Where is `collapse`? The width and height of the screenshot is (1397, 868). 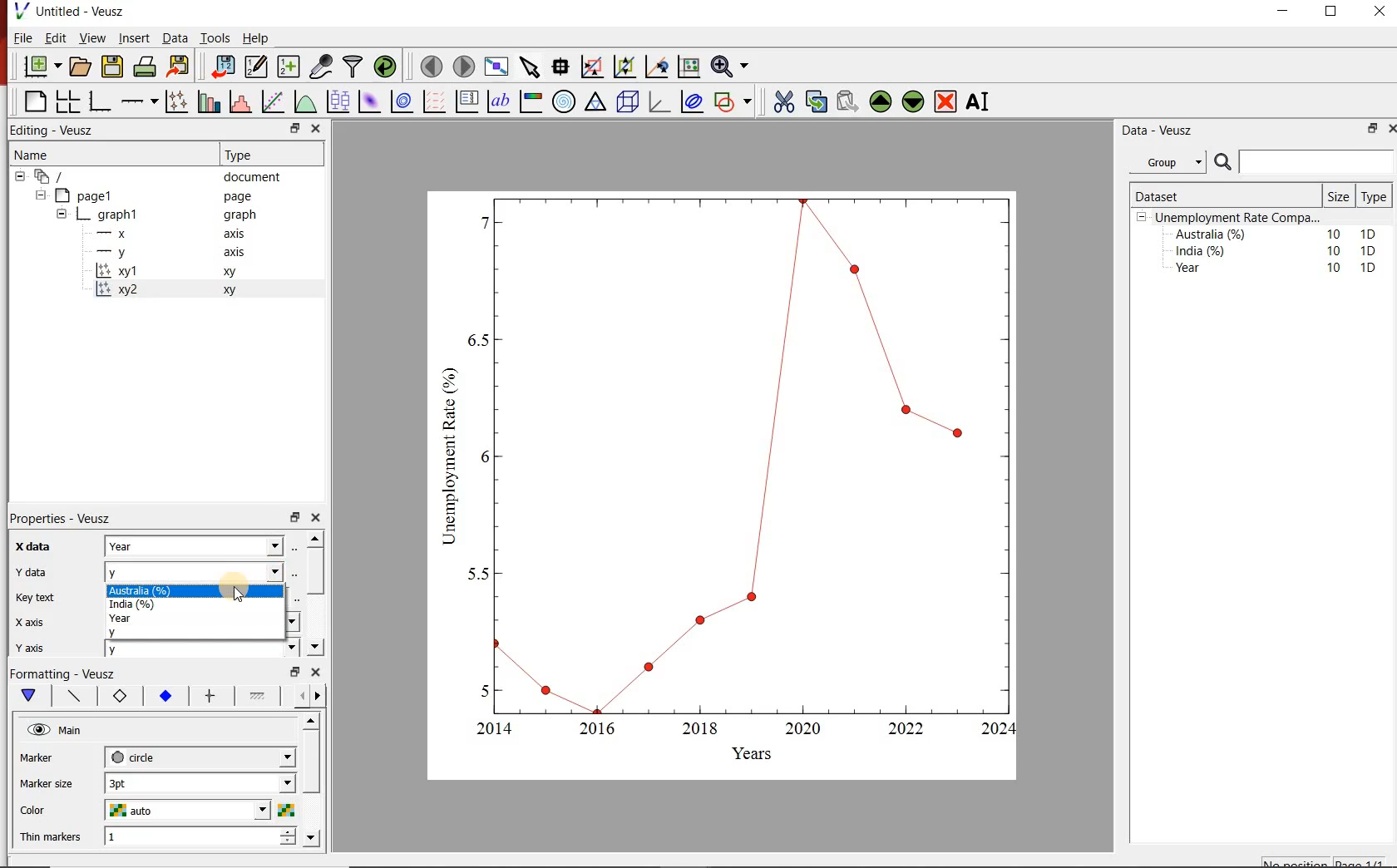
collapse is located at coordinates (61, 216).